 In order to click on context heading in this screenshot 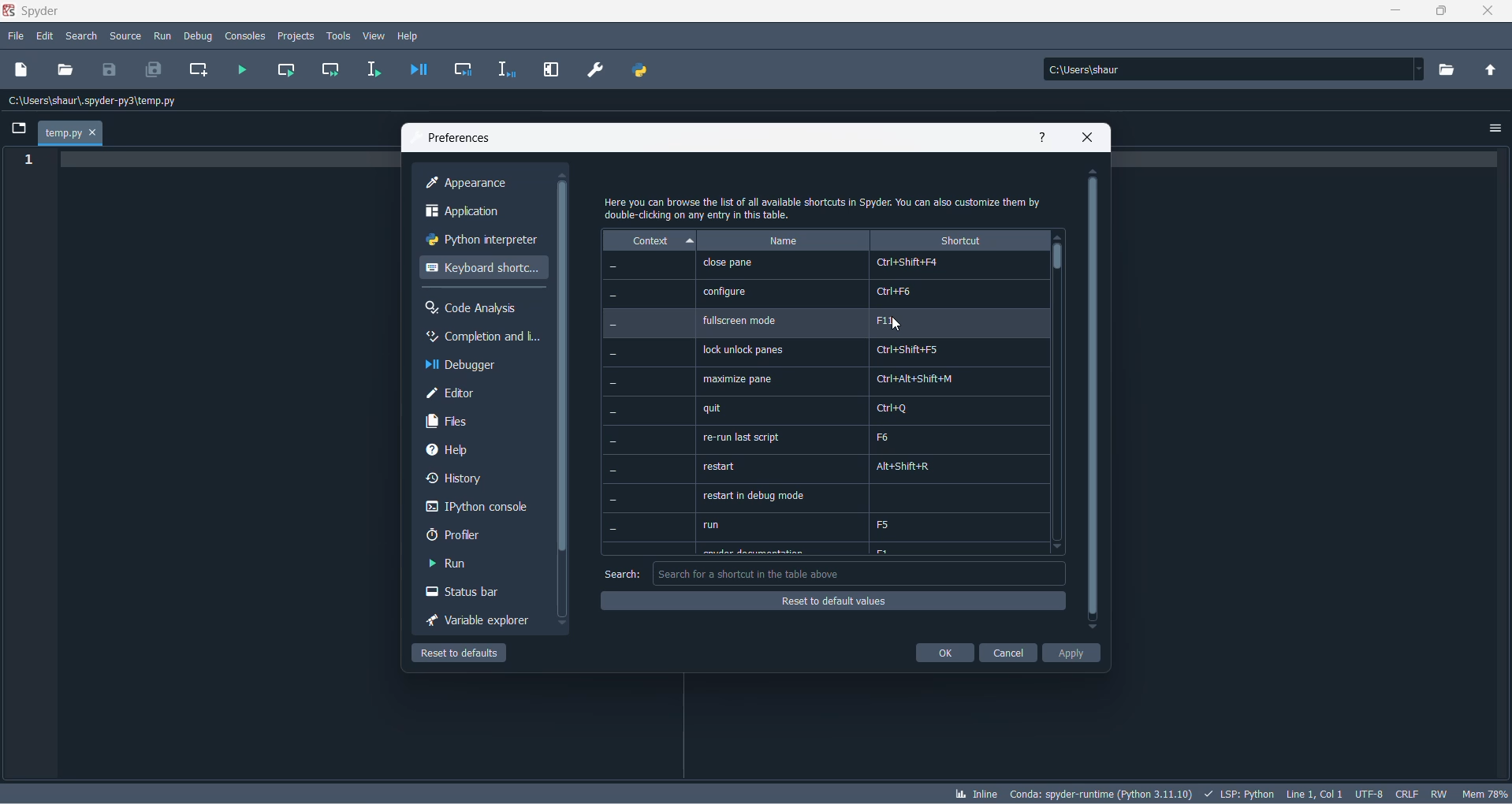, I will do `click(650, 239)`.